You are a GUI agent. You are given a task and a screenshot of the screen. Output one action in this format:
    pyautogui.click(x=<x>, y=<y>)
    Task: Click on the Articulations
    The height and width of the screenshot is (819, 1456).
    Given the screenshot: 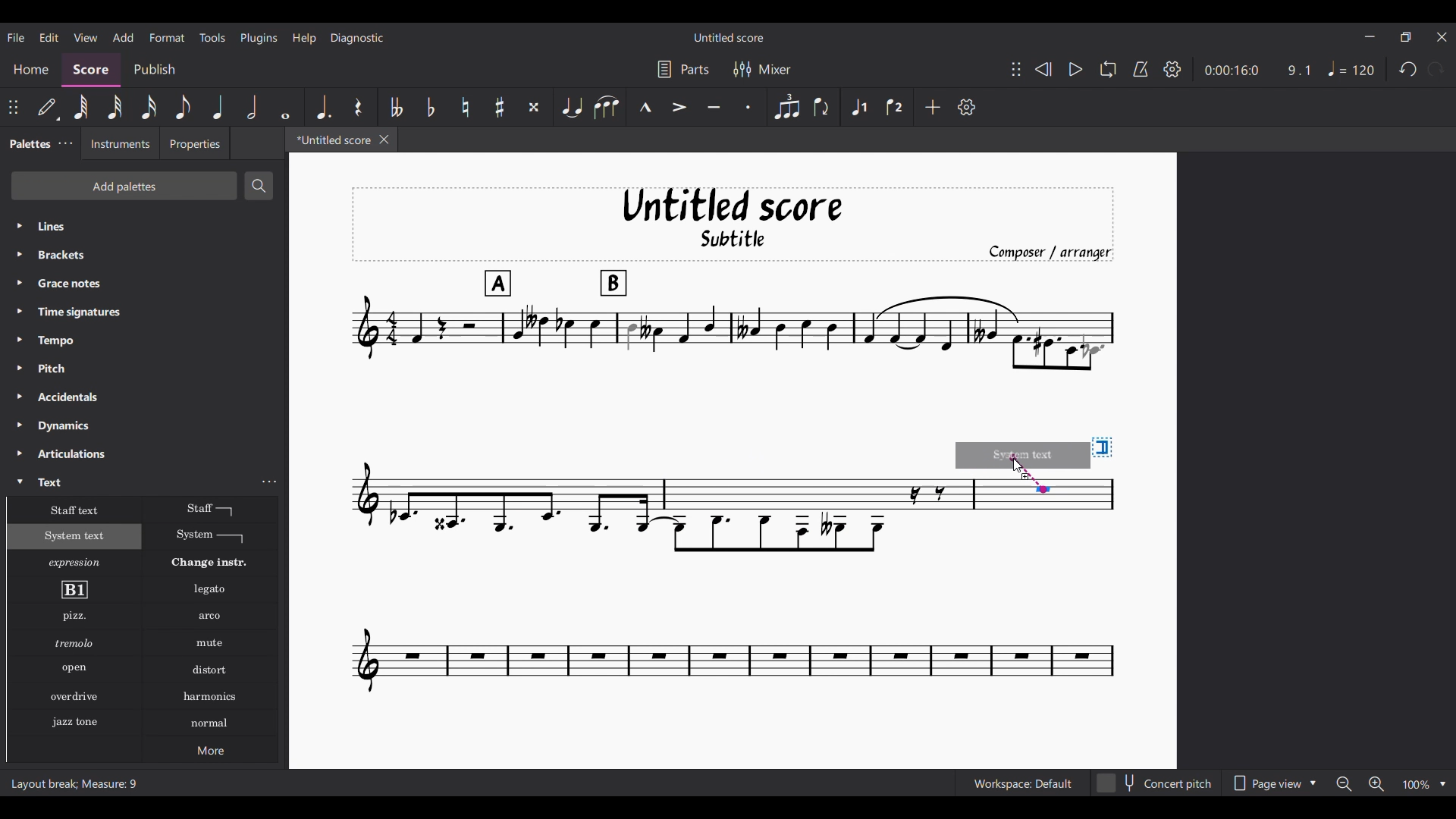 What is the action you would take?
    pyautogui.click(x=145, y=453)
    